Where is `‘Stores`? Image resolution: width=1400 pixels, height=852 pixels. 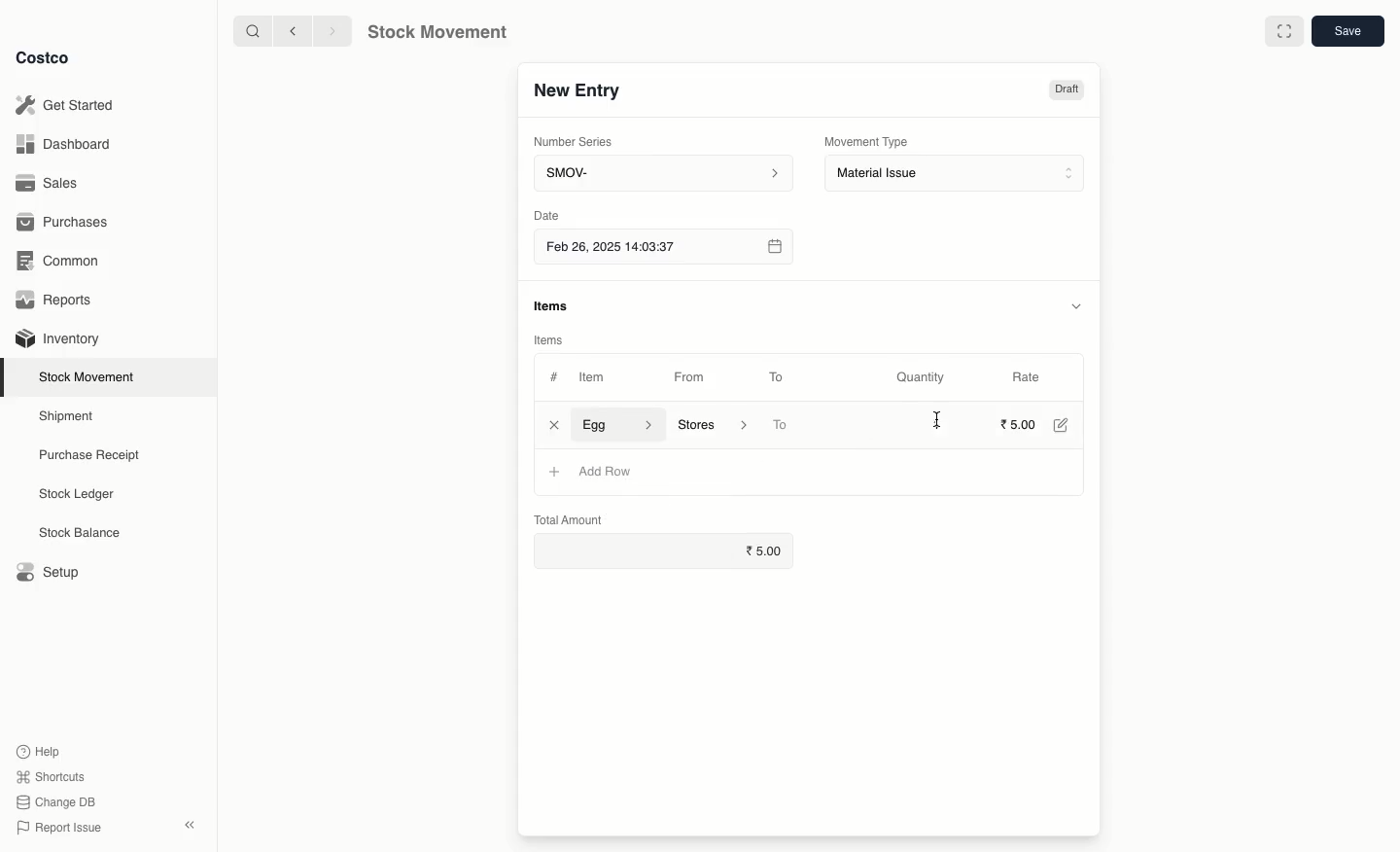 ‘Stores is located at coordinates (710, 423).